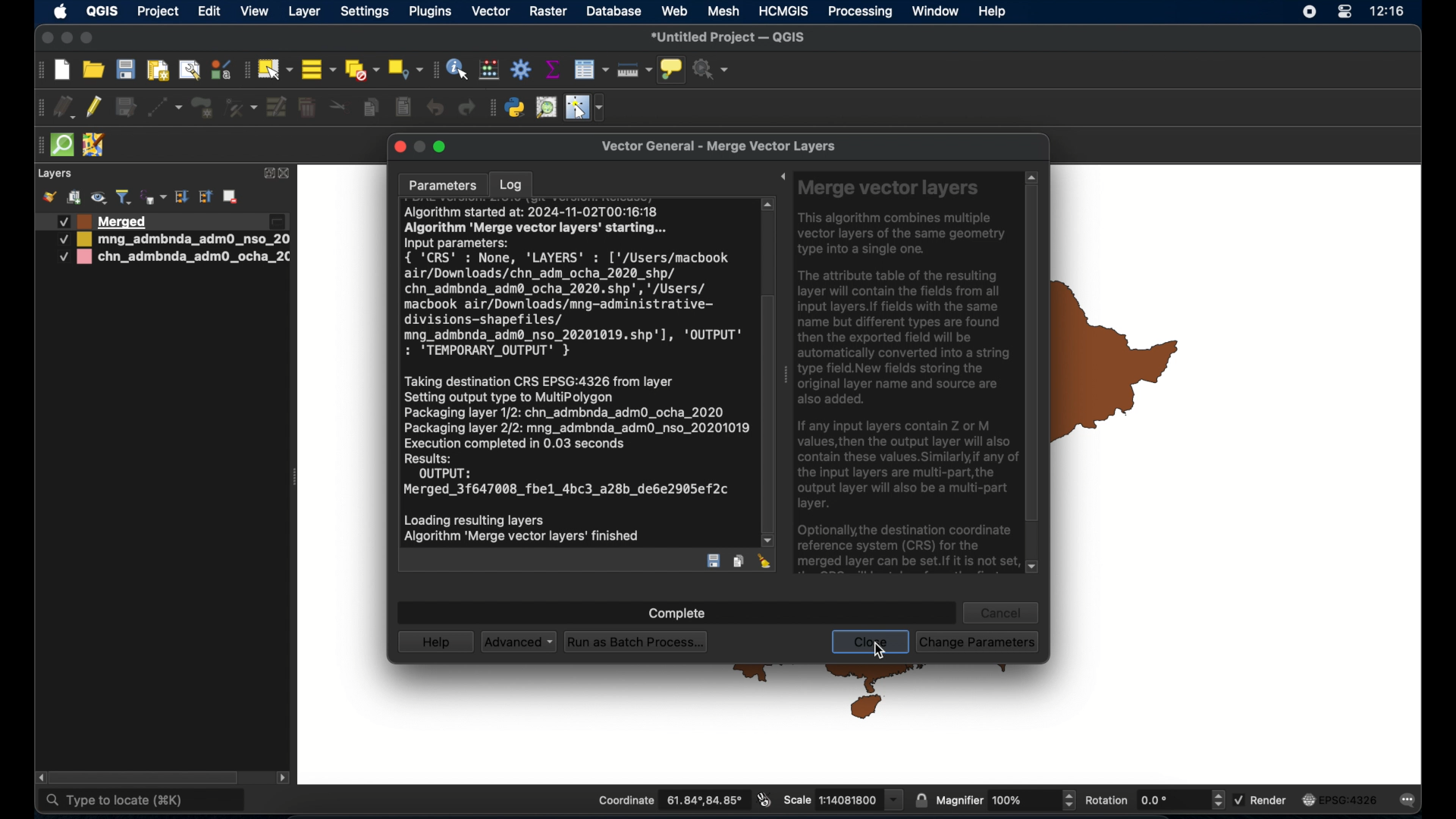 The image size is (1456, 819). Describe the element at coordinates (714, 561) in the screenshot. I see `save log entry` at that location.